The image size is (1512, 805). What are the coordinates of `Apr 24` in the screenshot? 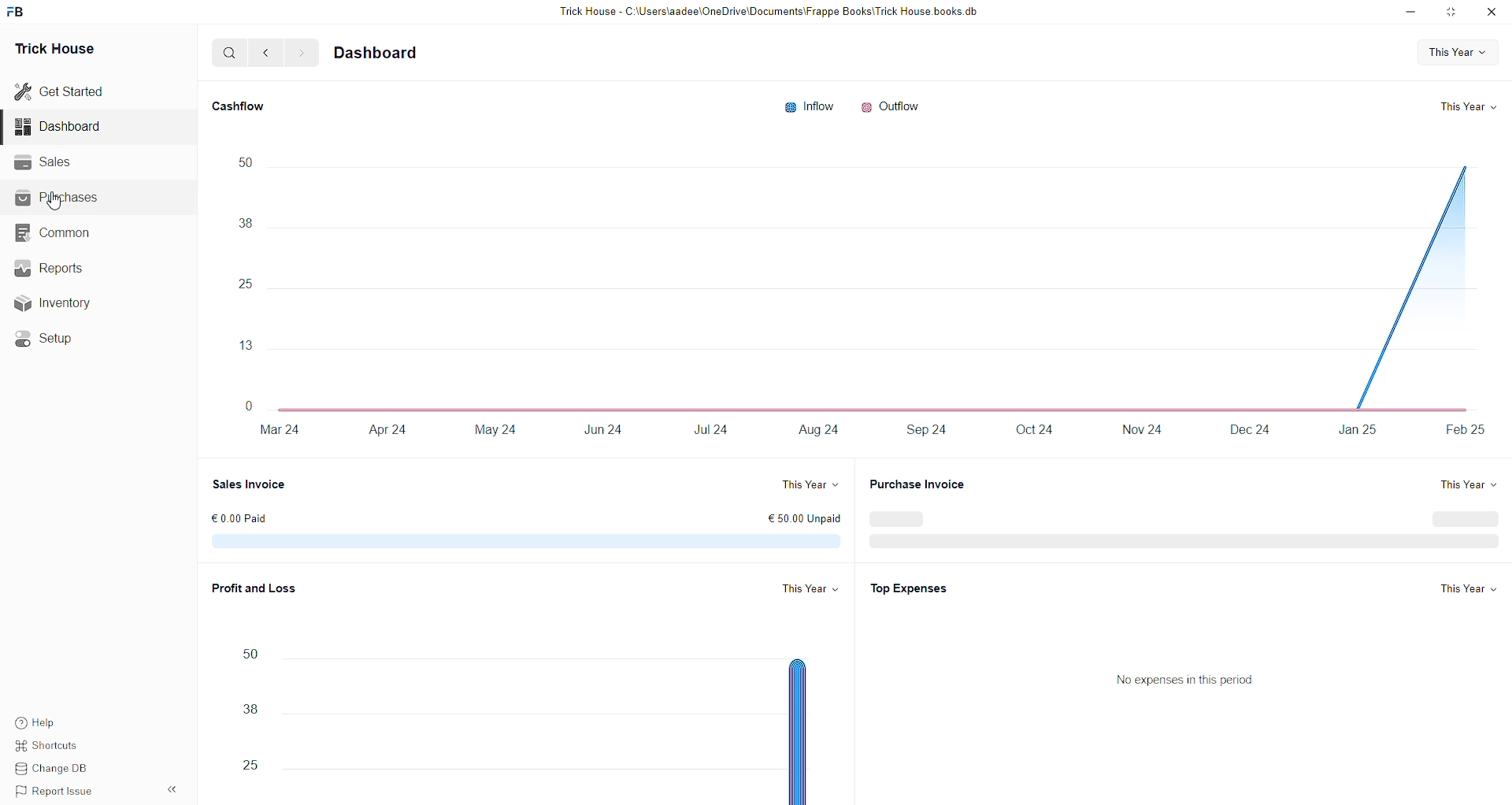 It's located at (387, 430).